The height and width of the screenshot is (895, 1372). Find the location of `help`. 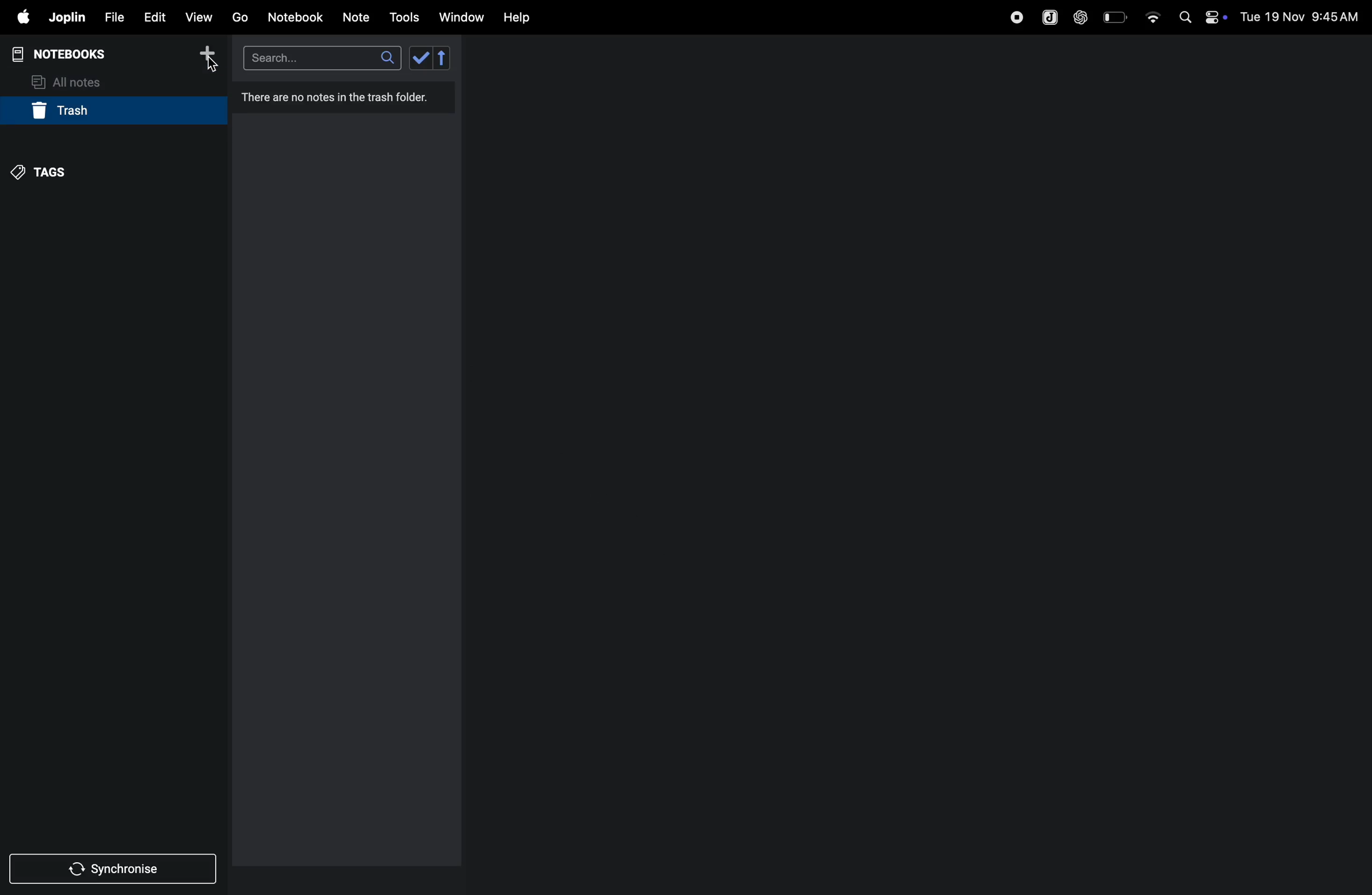

help is located at coordinates (517, 17).